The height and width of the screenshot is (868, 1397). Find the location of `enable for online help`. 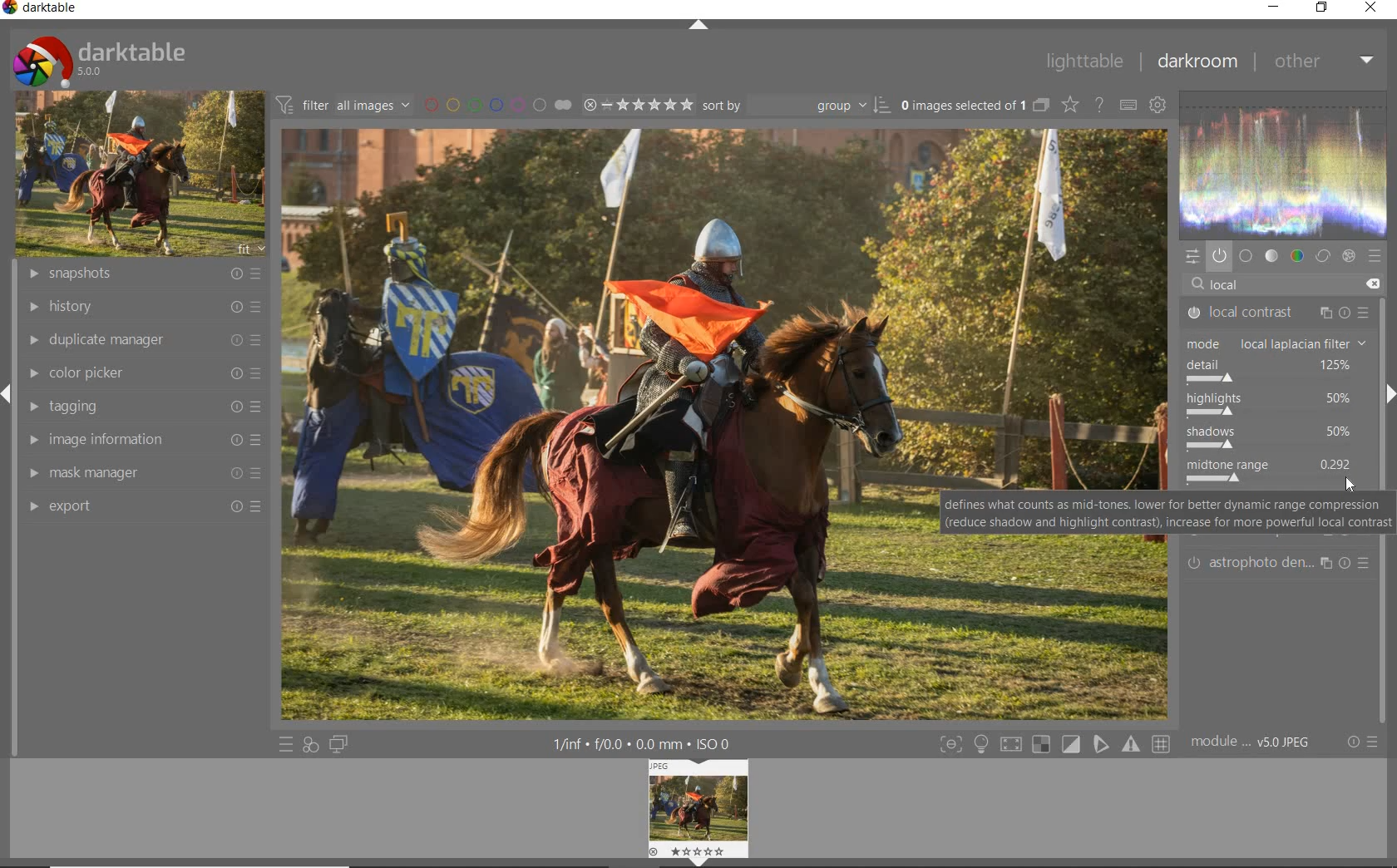

enable for online help is located at coordinates (1099, 104).